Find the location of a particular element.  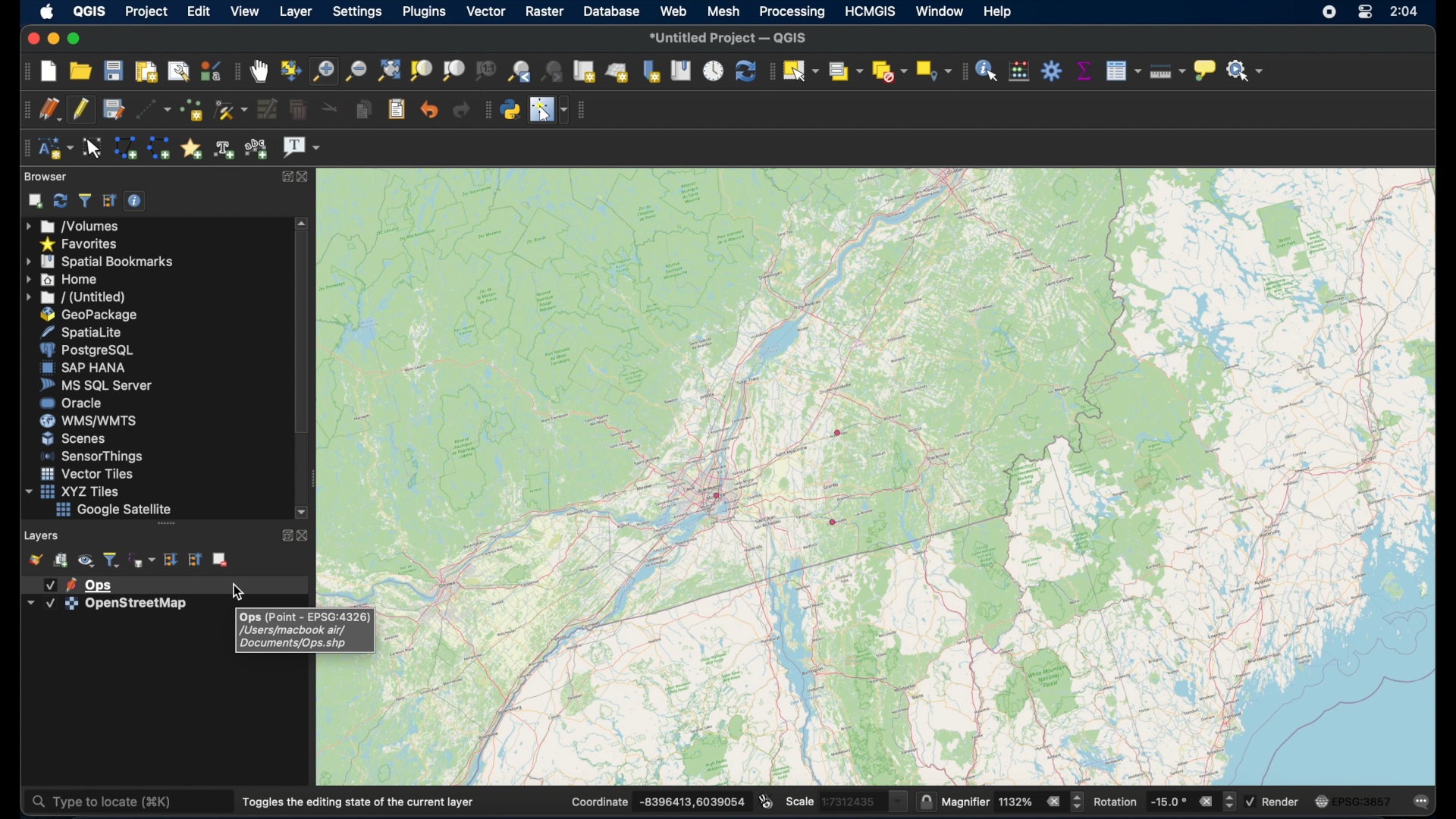

temporal control panel is located at coordinates (714, 71).